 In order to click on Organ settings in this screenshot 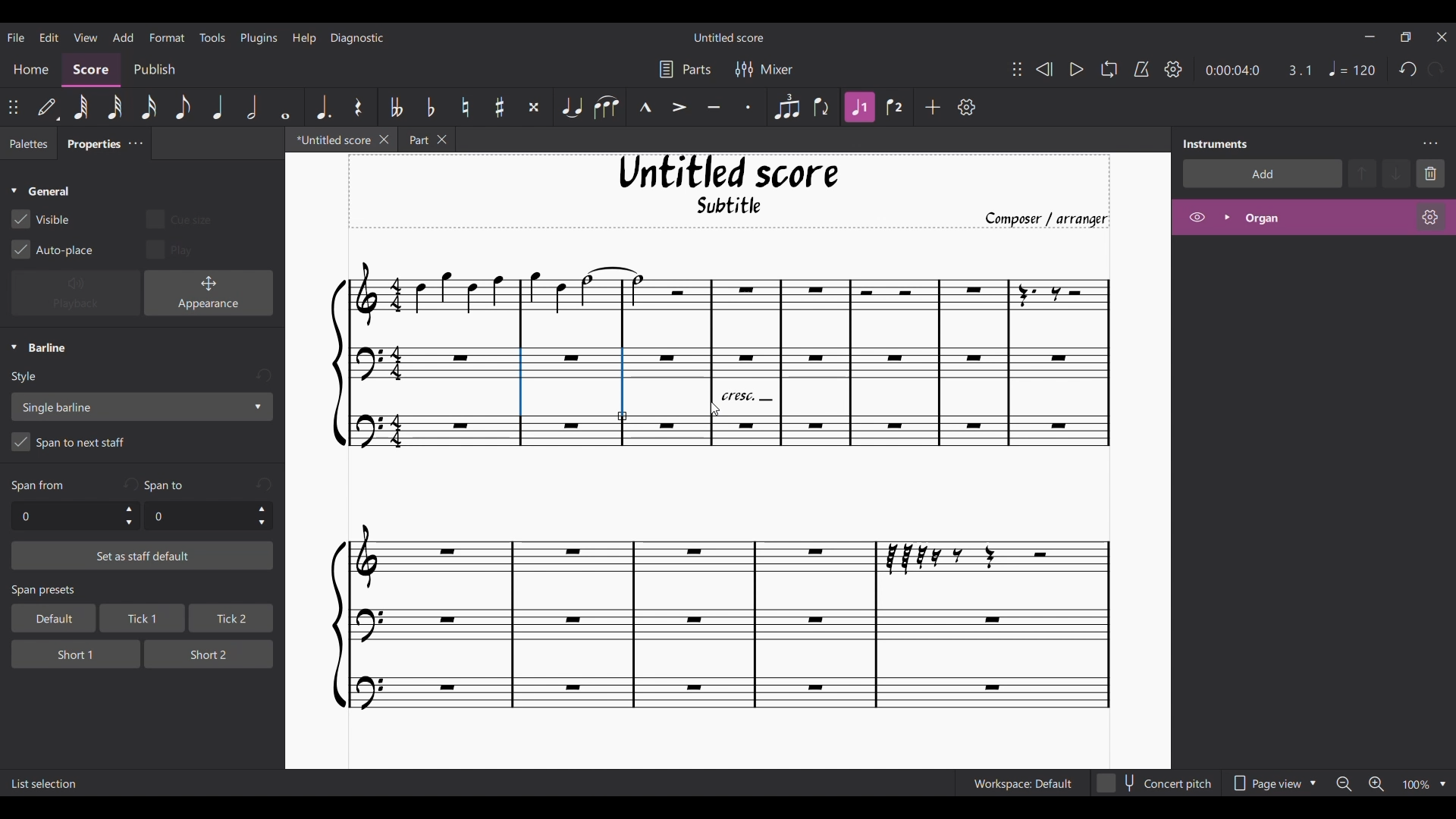, I will do `click(1430, 217)`.